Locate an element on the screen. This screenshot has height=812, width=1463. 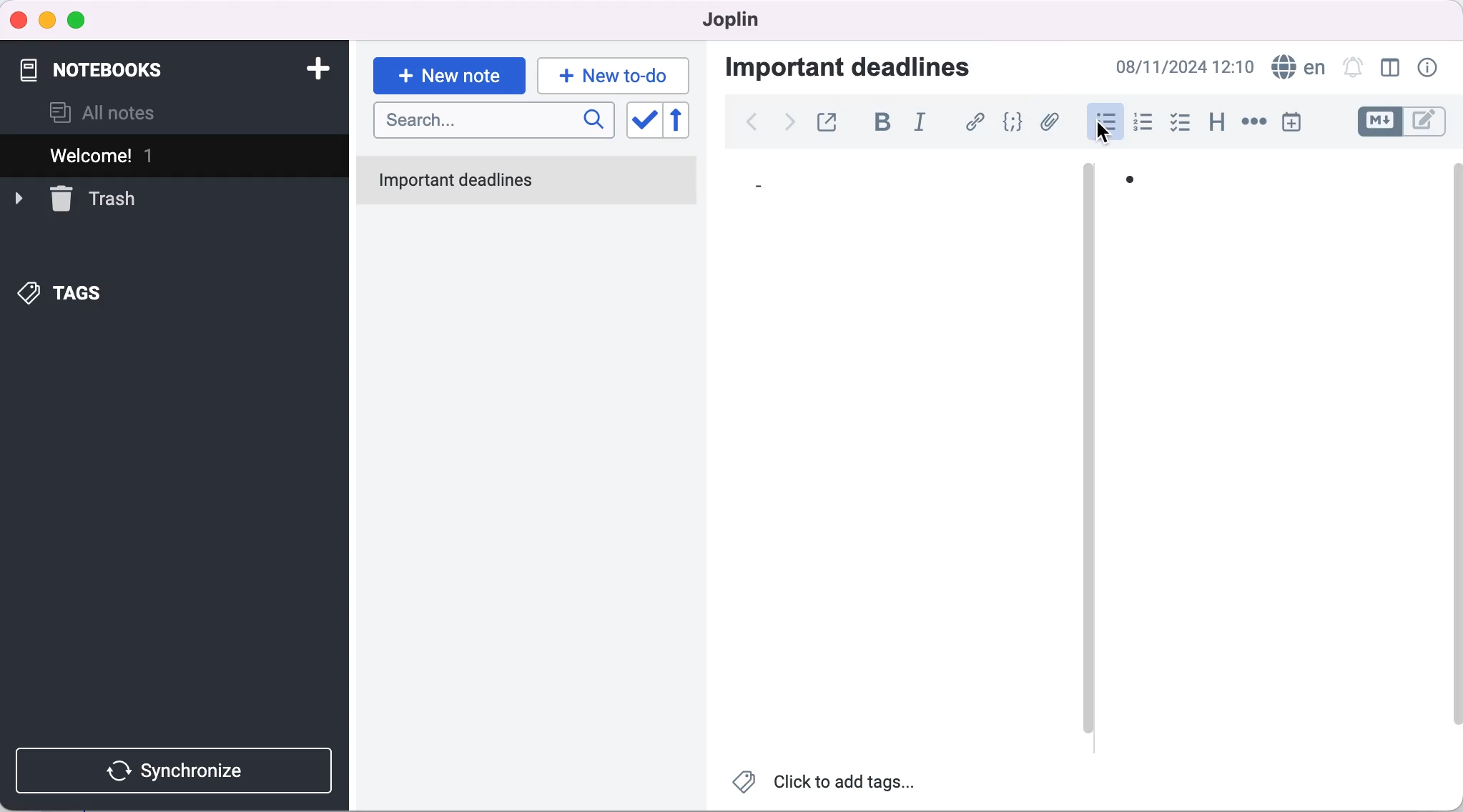
bullet 1 is located at coordinates (764, 190).